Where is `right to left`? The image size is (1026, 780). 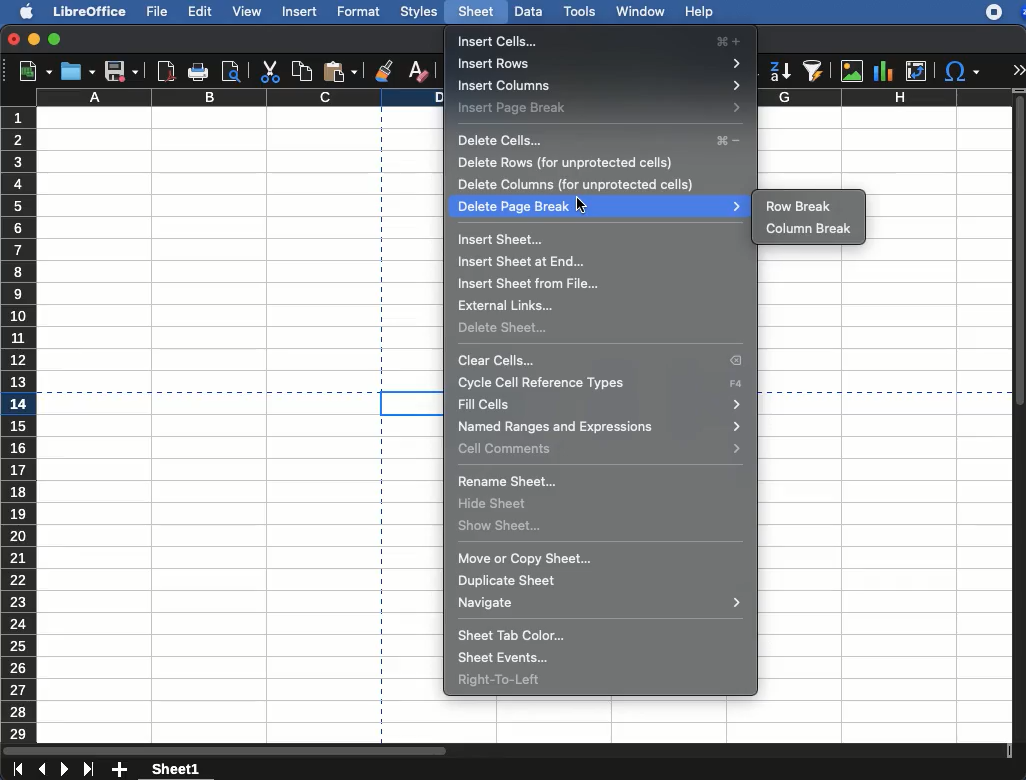 right to left is located at coordinates (501, 681).